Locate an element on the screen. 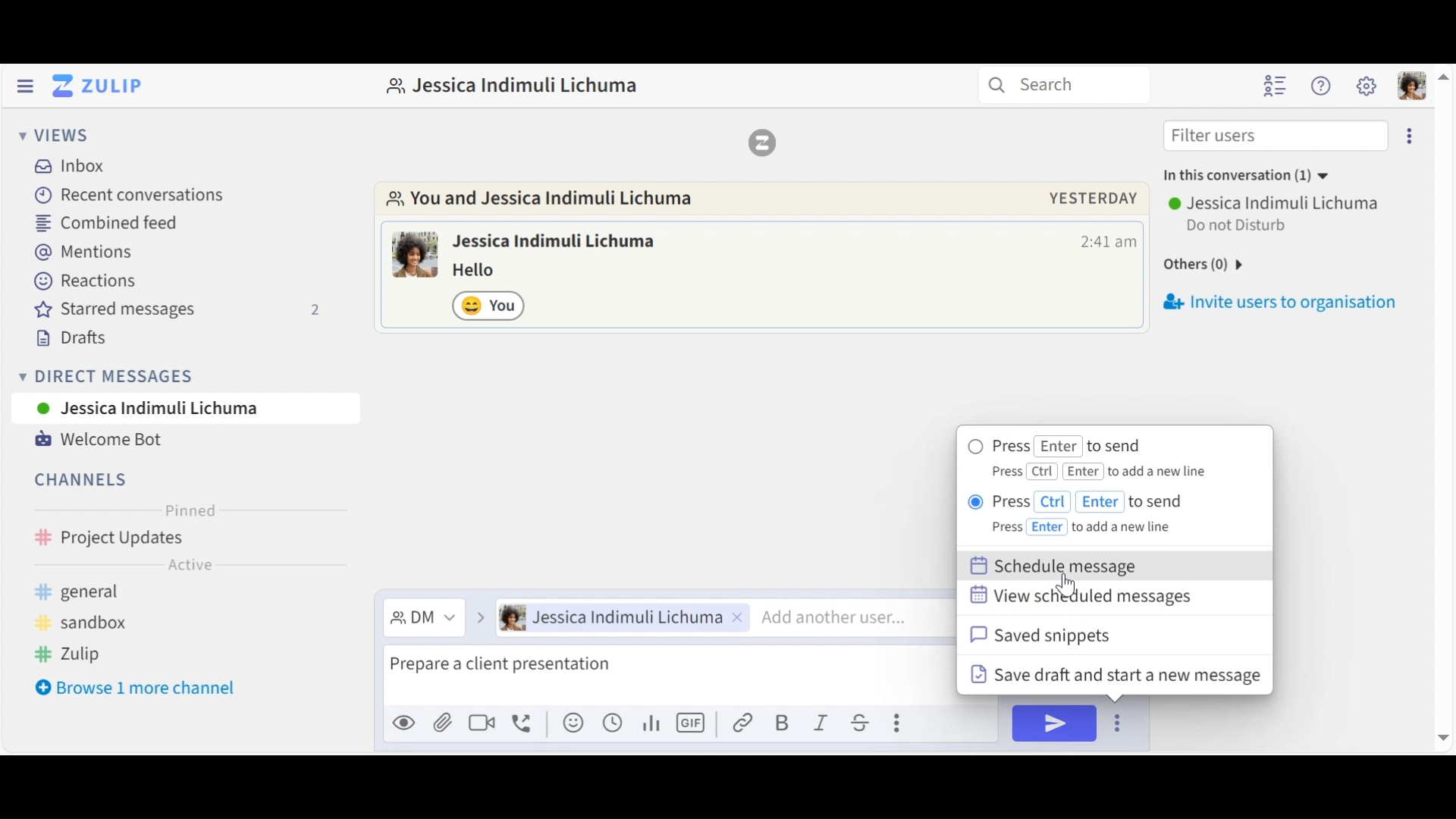 Image resolution: width=1456 pixels, height=819 pixels. (un)select Press Ctrl +Enter to send and Press Enter to add a new line is located at coordinates (1097, 514).